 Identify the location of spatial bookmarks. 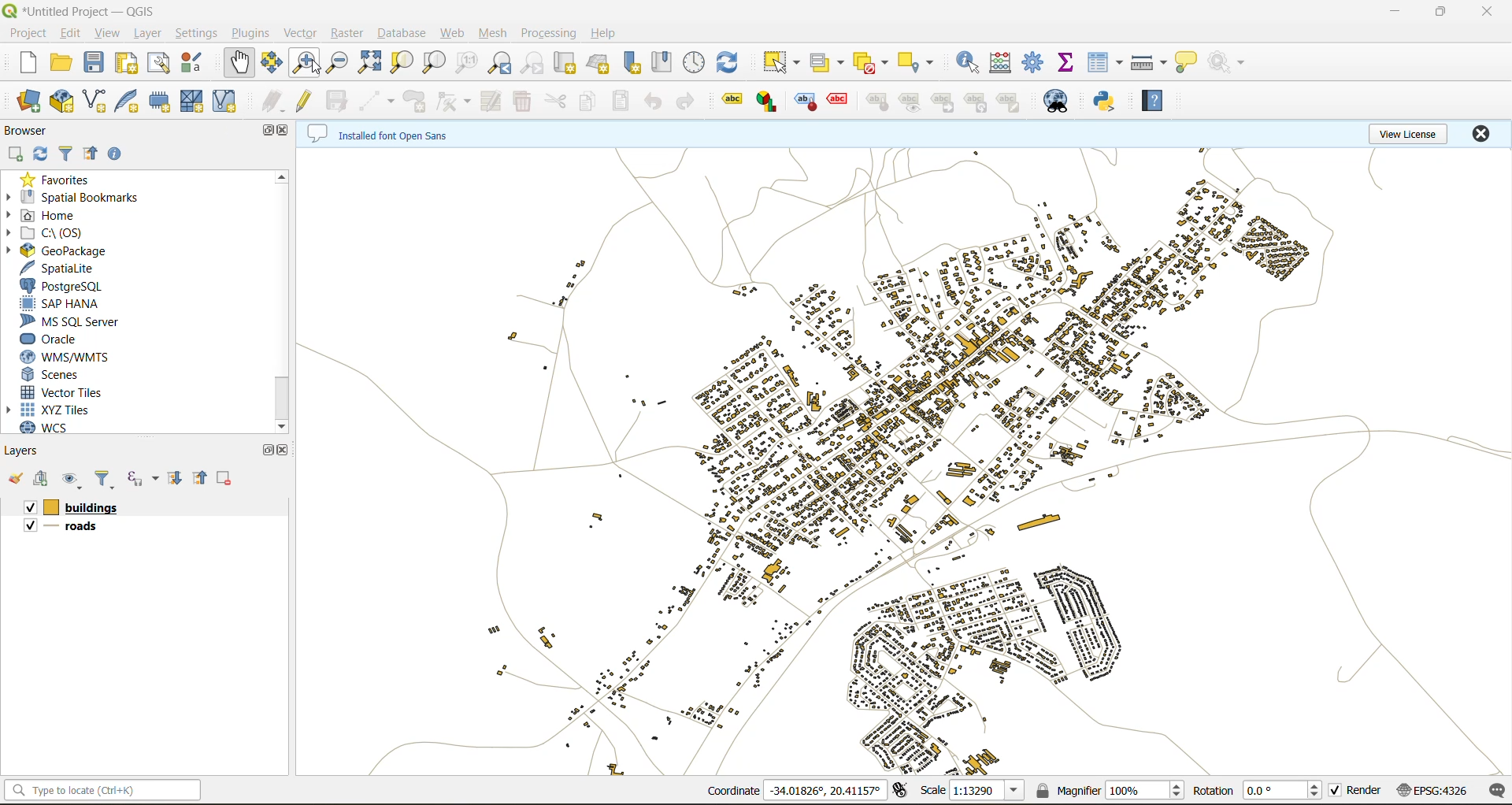
(78, 198).